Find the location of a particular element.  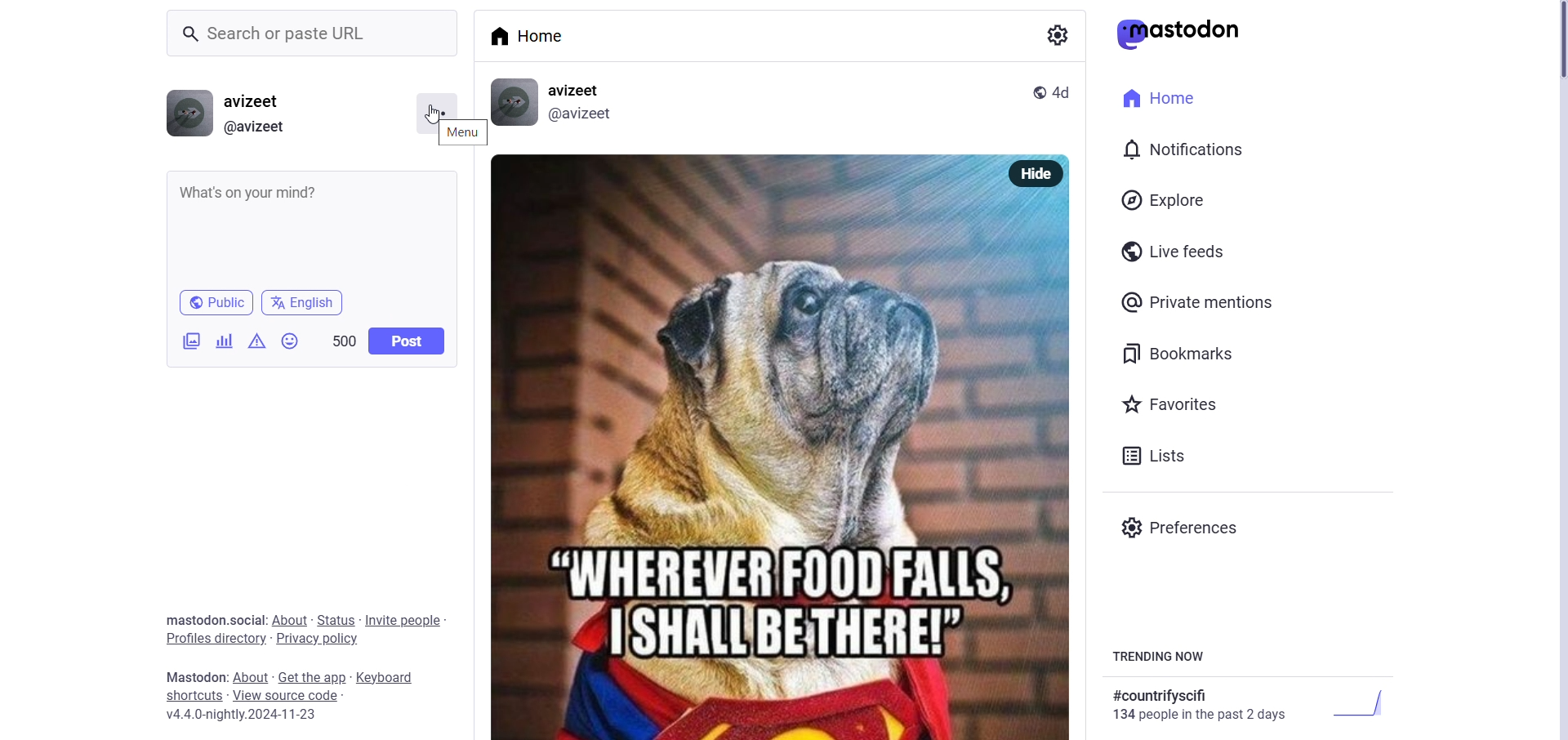

cursor is located at coordinates (428, 114).